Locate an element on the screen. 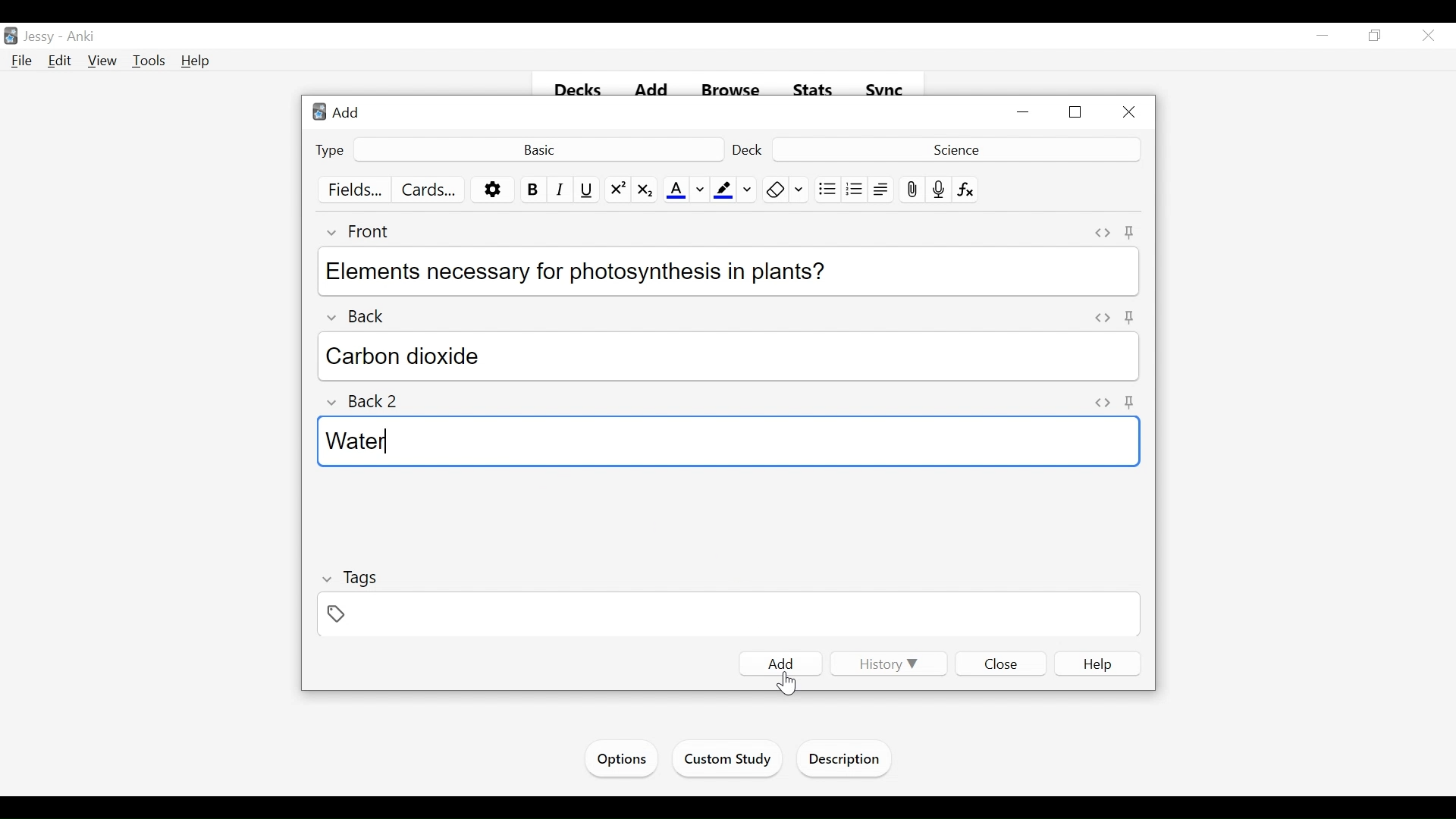 The image size is (1456, 819). Toggle HTML Editor is located at coordinates (1103, 233).